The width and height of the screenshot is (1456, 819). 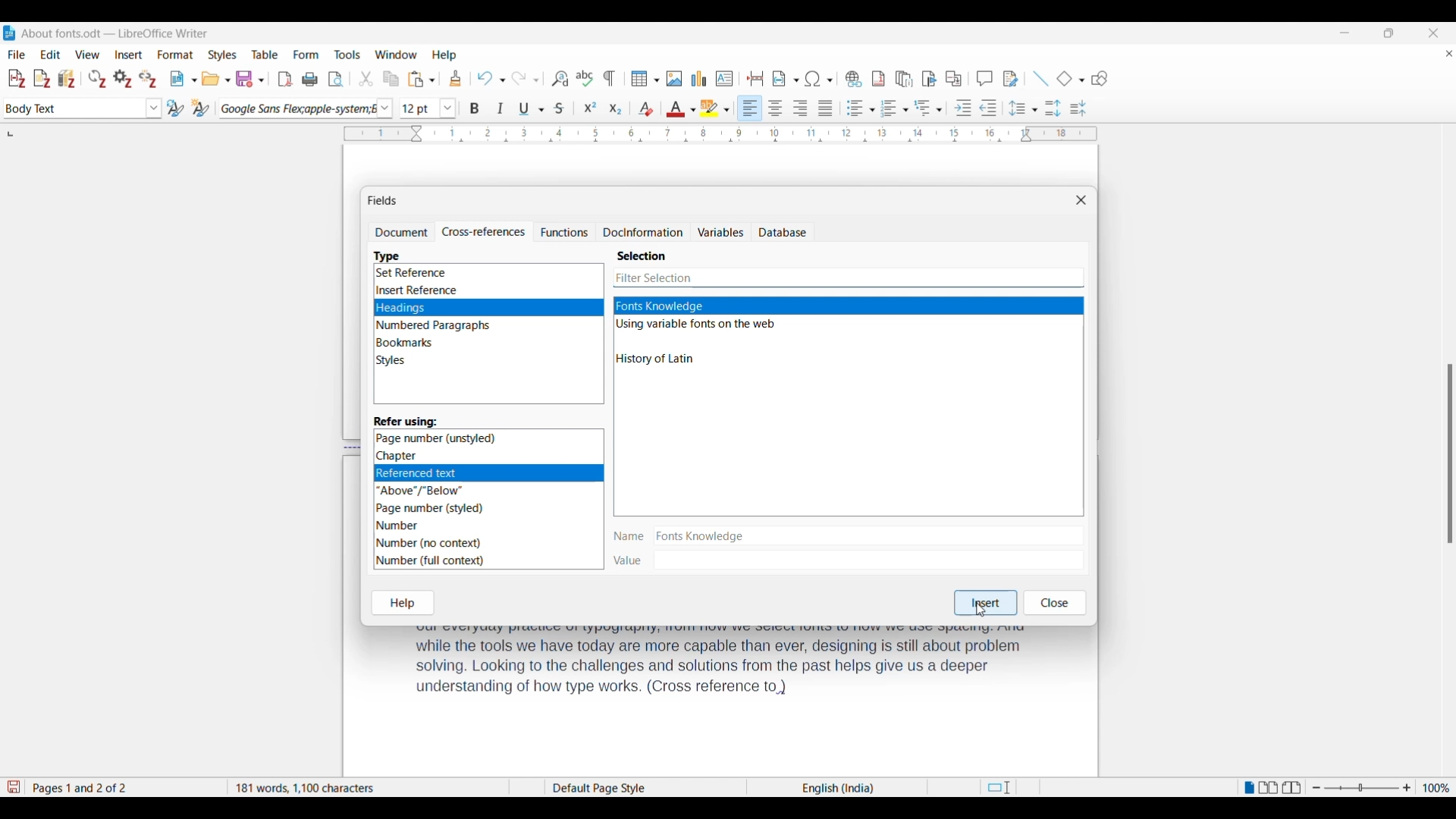 I want to click on Decrease indentation, so click(x=989, y=108).